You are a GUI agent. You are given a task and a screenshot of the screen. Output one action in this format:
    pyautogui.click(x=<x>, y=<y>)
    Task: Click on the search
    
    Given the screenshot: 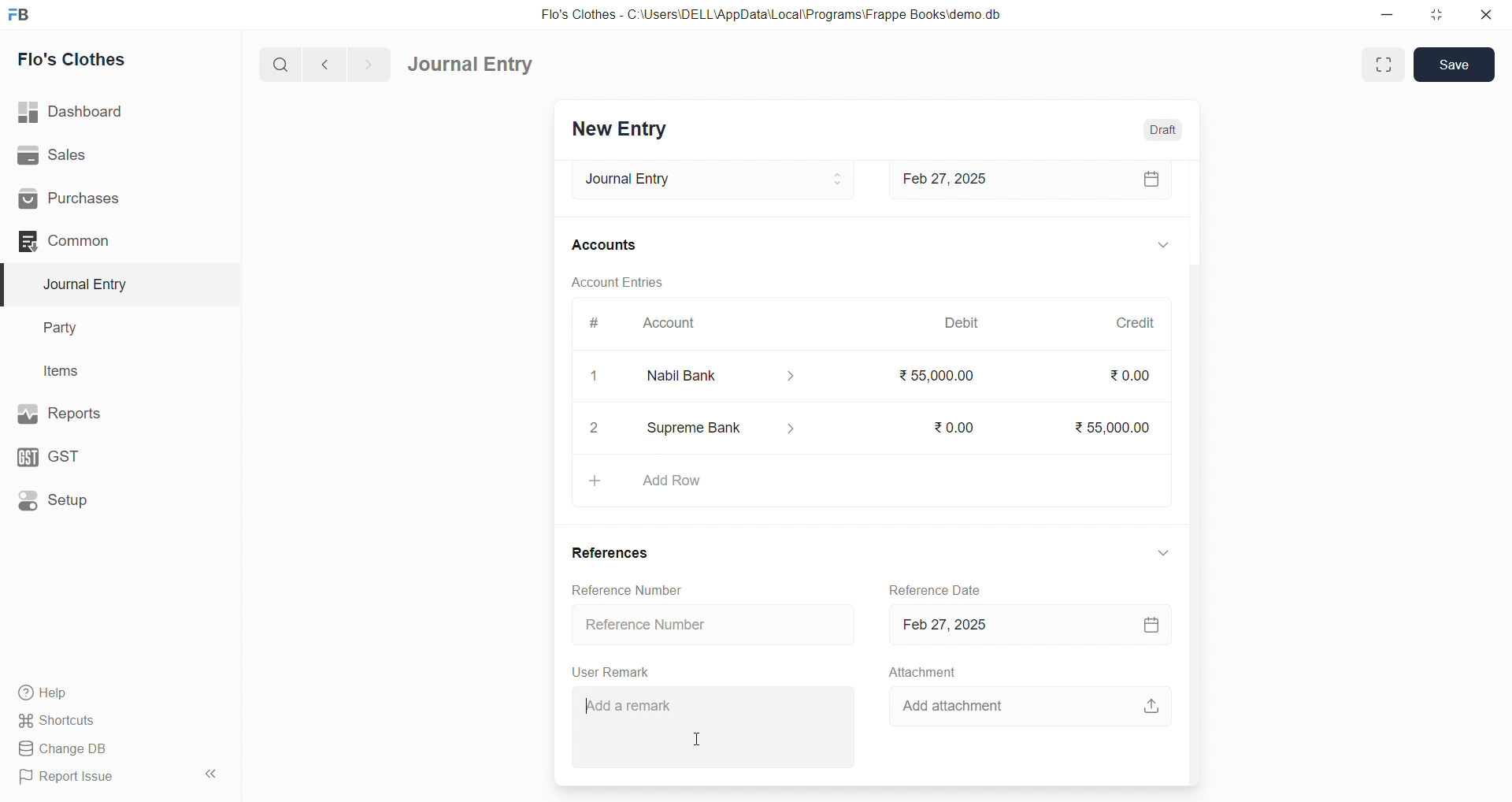 What is the action you would take?
    pyautogui.click(x=278, y=66)
    